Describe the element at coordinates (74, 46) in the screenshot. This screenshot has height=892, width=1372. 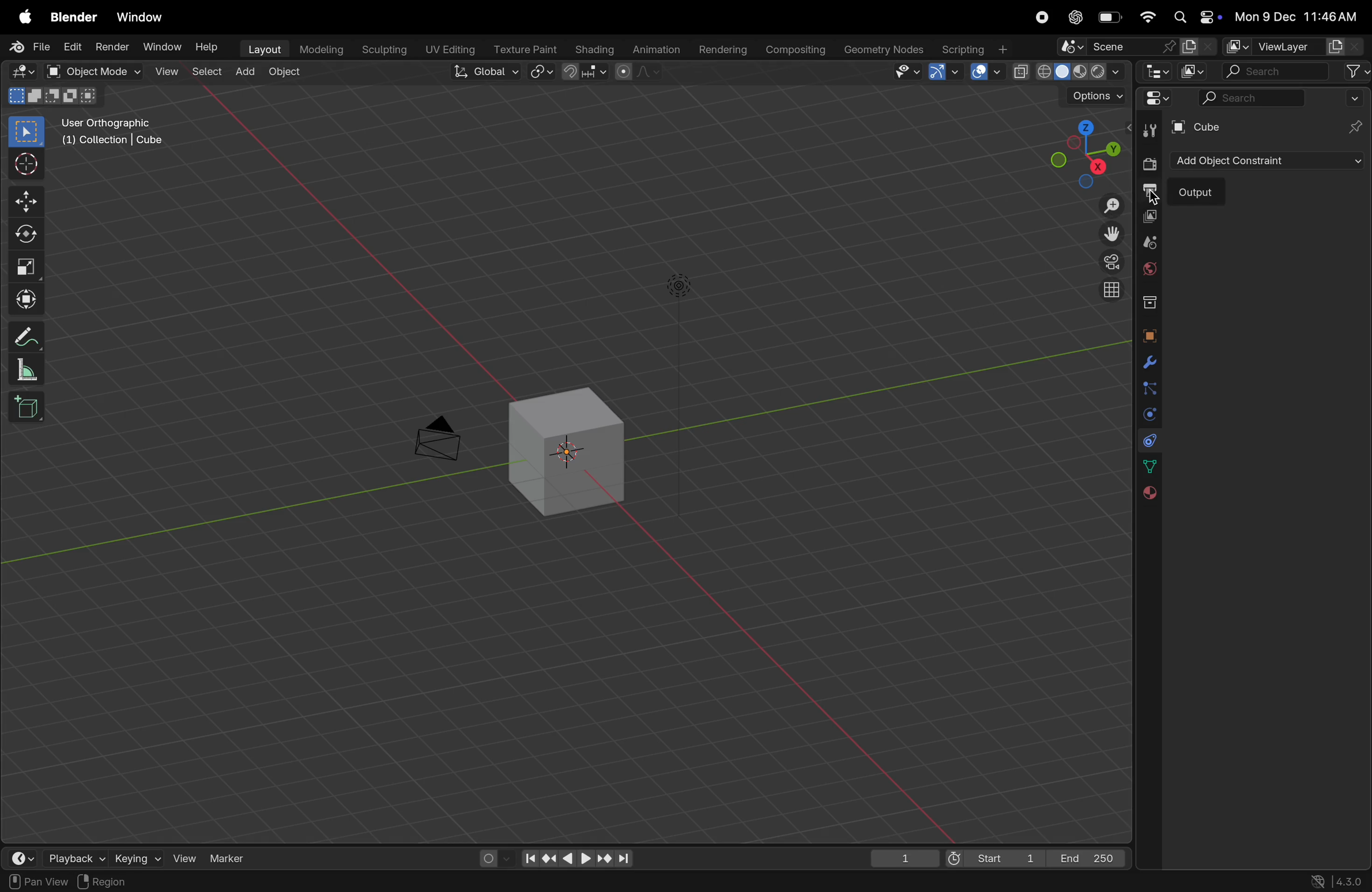
I see `Edit` at that location.